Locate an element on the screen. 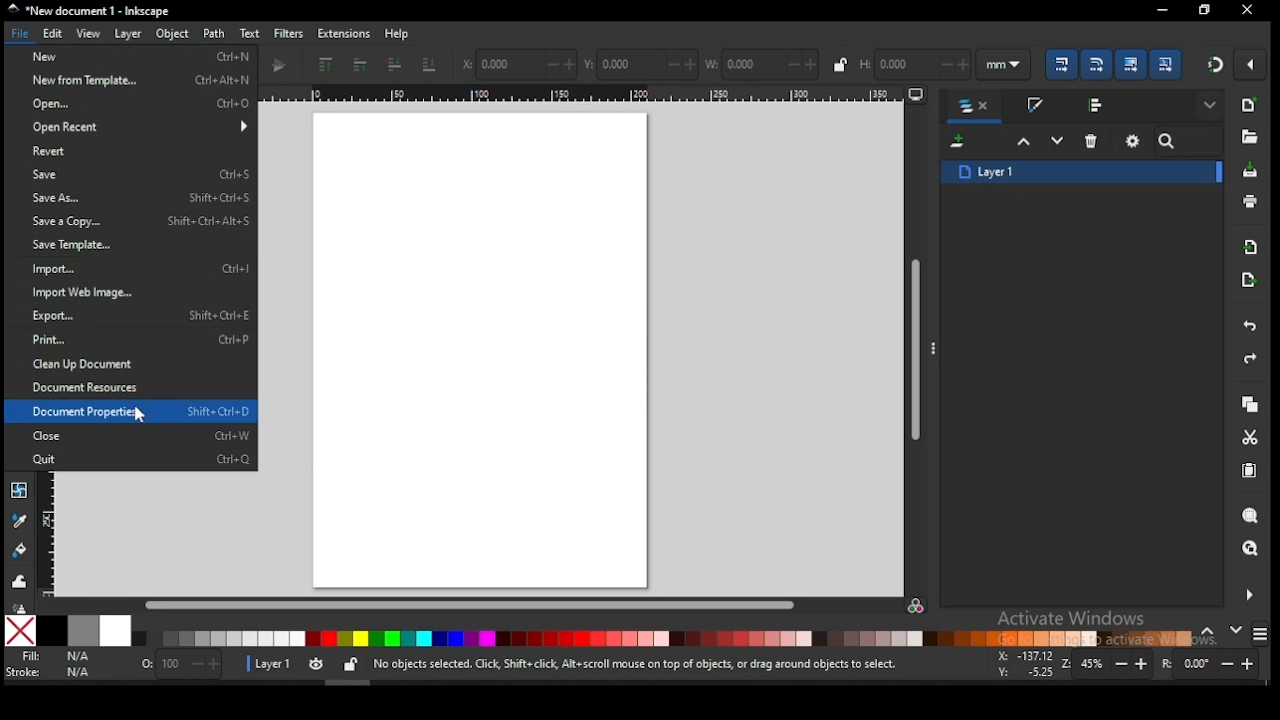 This screenshot has height=720, width=1280. clean up is located at coordinates (123, 363).